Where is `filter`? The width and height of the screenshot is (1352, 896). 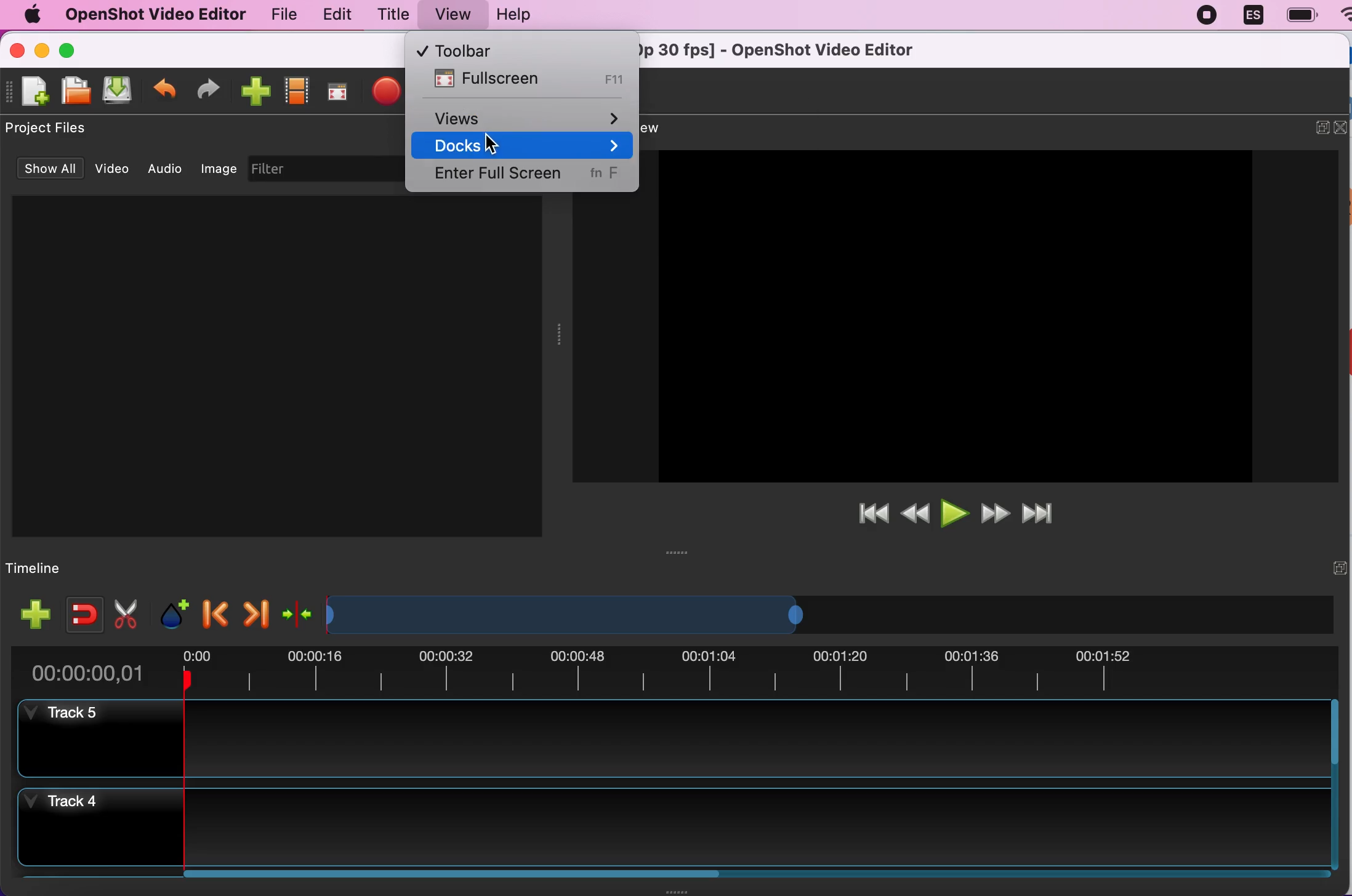 filter is located at coordinates (324, 169).